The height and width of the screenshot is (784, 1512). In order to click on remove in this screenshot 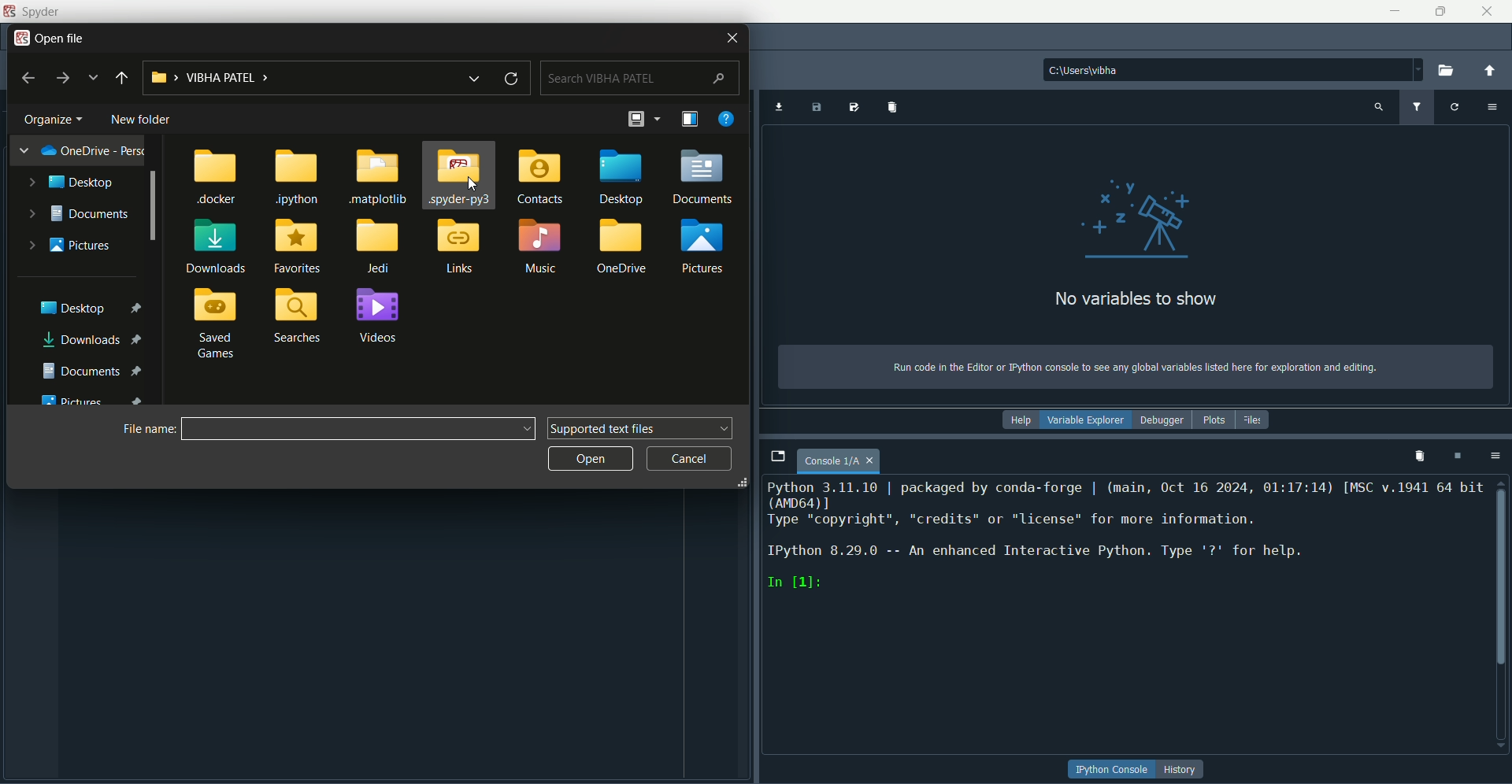, I will do `click(1421, 457)`.